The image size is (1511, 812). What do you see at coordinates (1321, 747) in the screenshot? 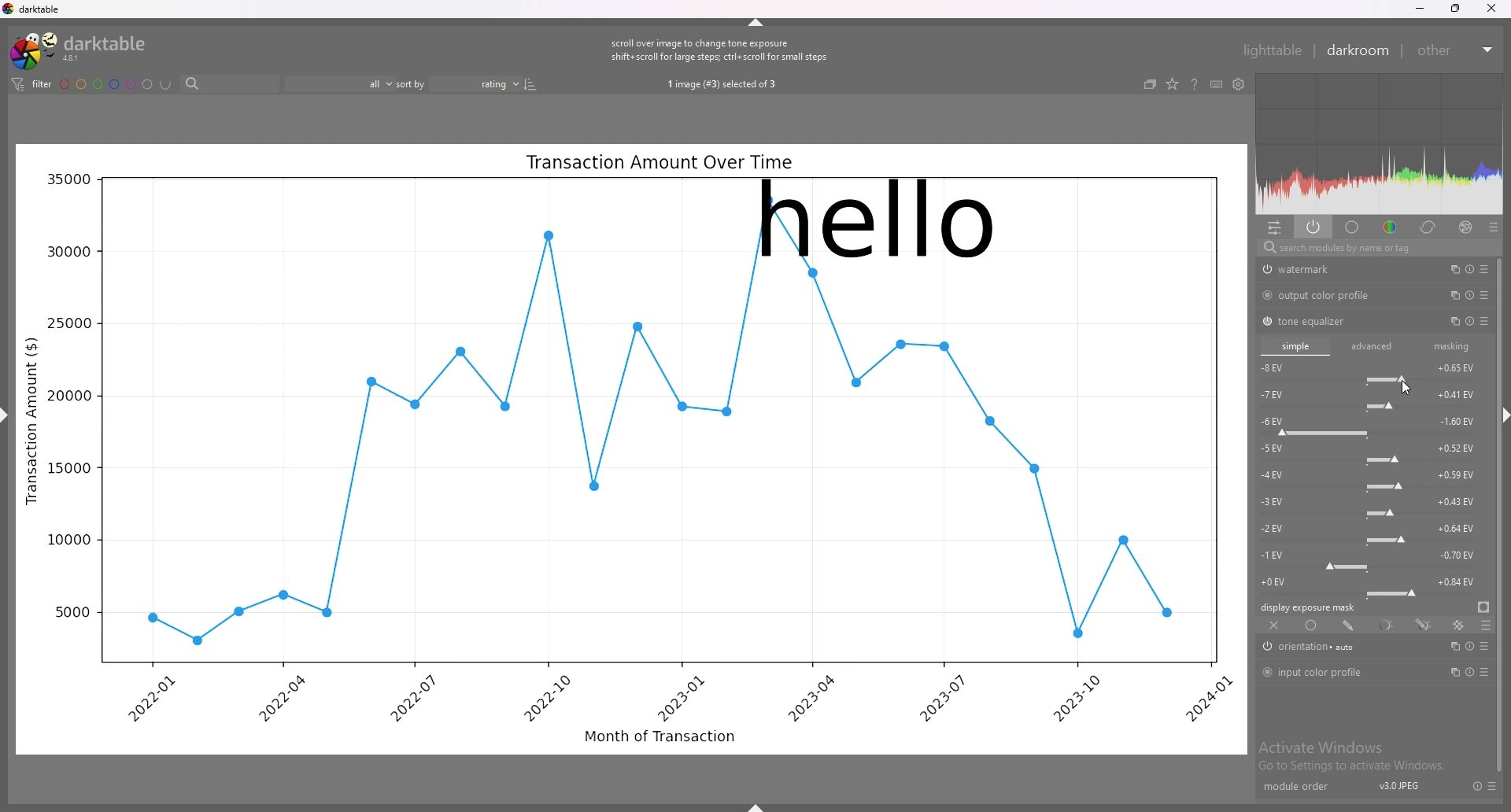
I see `Activate Windows` at bounding box center [1321, 747].